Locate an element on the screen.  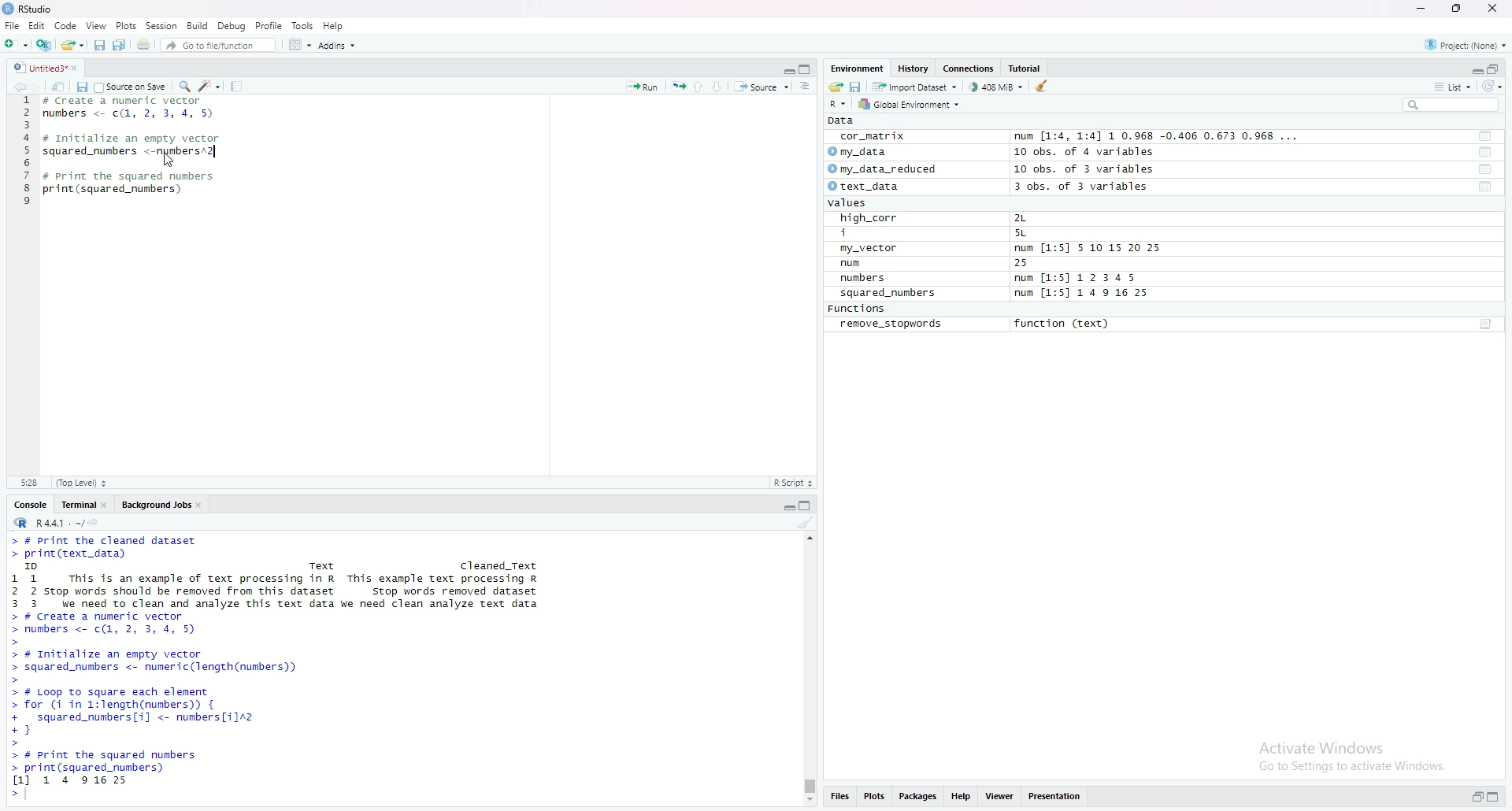
Environment is located at coordinates (857, 68).